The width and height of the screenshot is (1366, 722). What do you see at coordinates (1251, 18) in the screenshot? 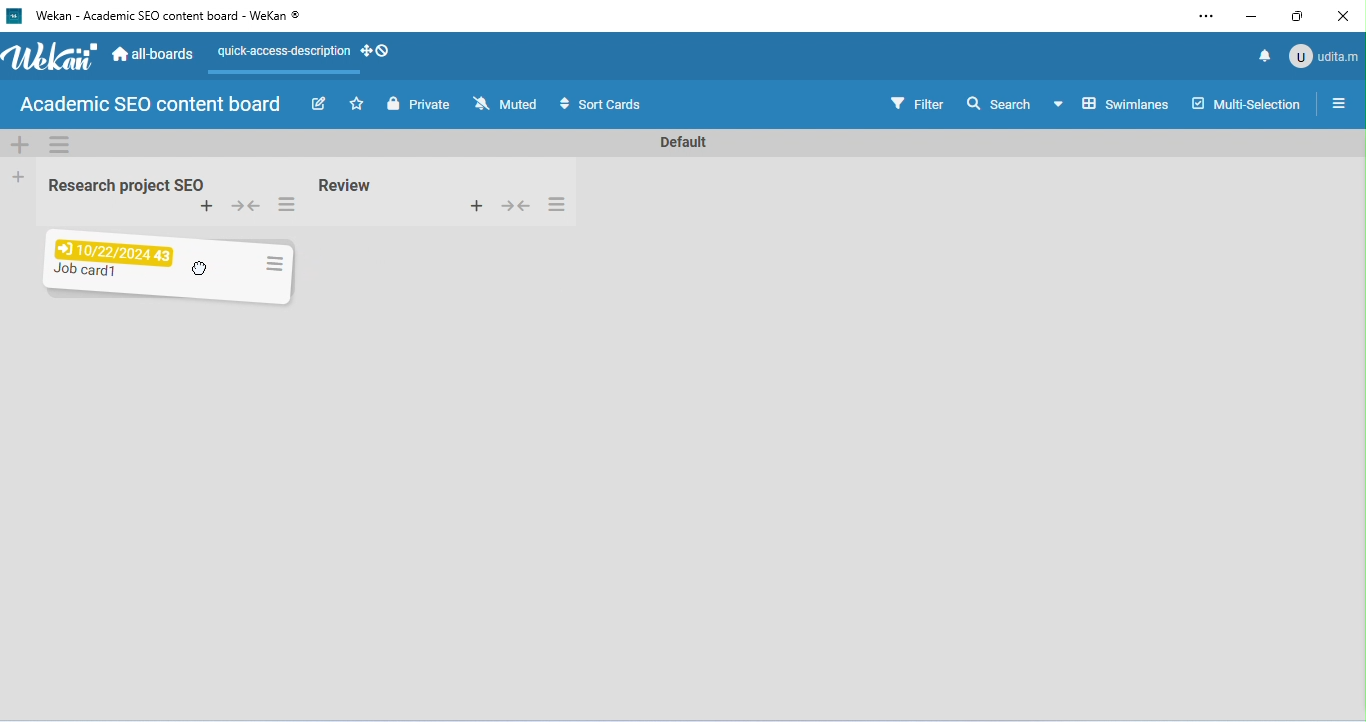
I see `minimize` at bounding box center [1251, 18].